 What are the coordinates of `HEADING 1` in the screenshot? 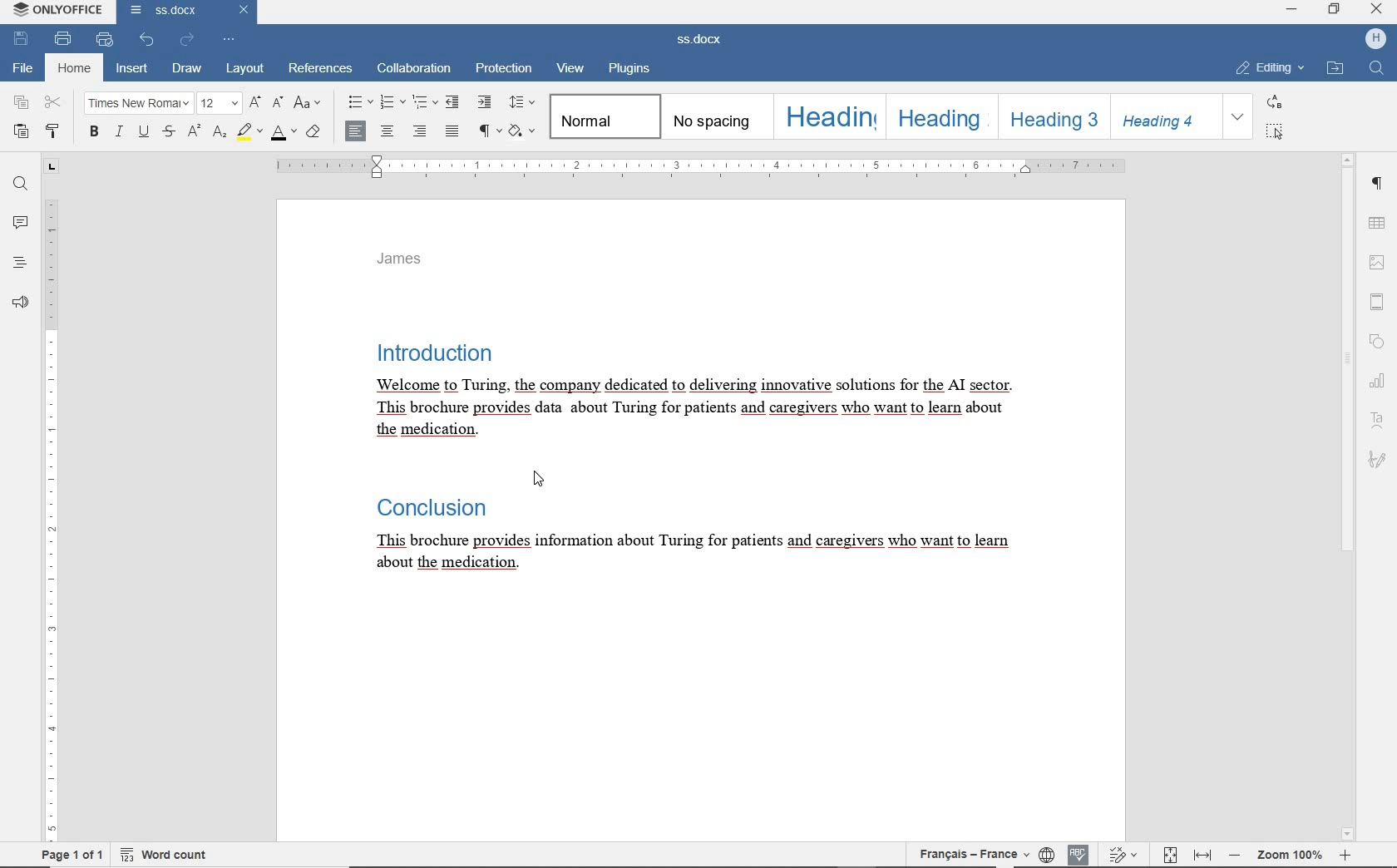 It's located at (828, 116).